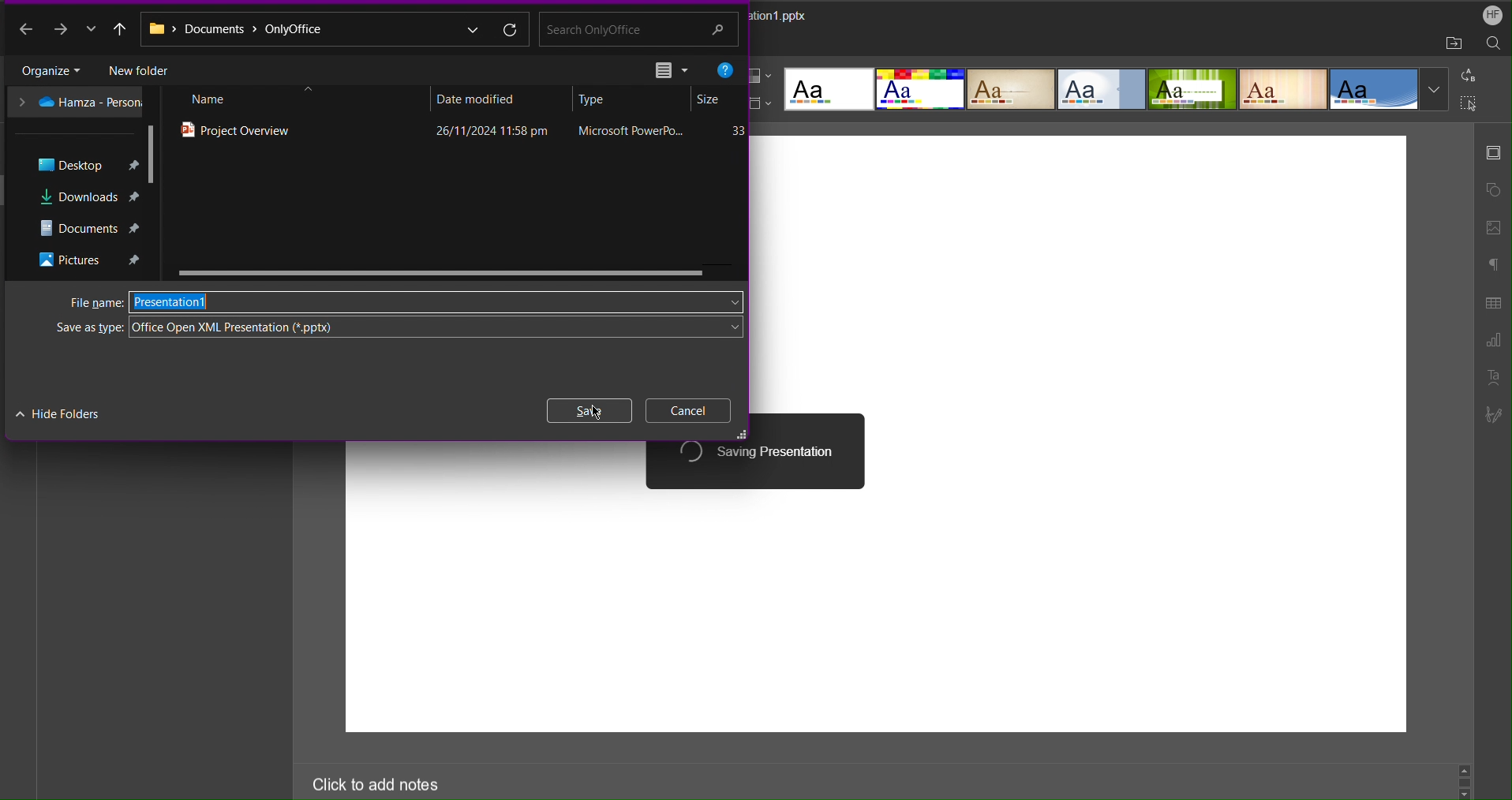  I want to click on Saving Presentation, so click(753, 464).